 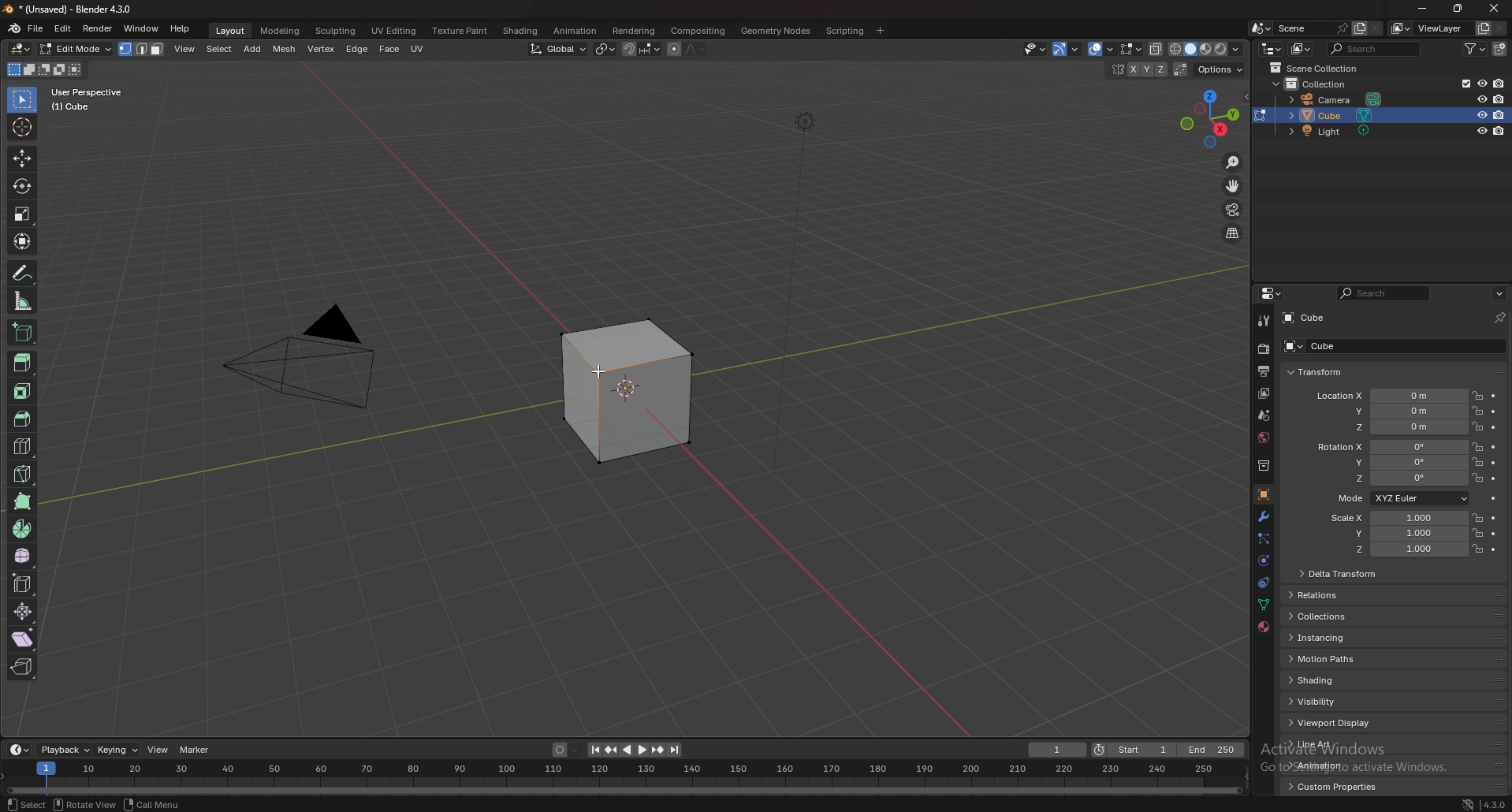 I want to click on measure, so click(x=24, y=302).